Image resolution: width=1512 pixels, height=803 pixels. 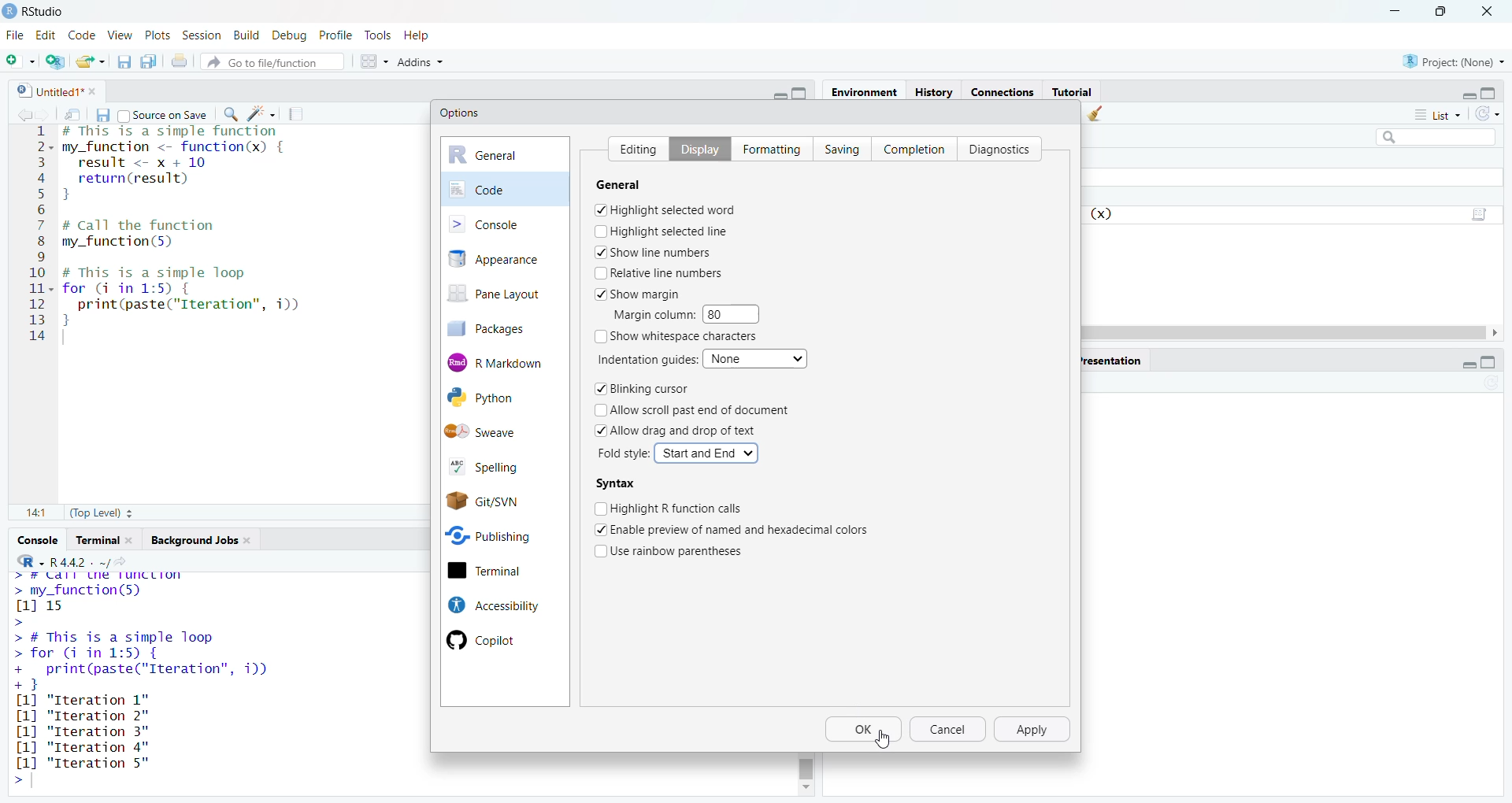 What do you see at coordinates (1496, 90) in the screenshot?
I see `maximize` at bounding box center [1496, 90].